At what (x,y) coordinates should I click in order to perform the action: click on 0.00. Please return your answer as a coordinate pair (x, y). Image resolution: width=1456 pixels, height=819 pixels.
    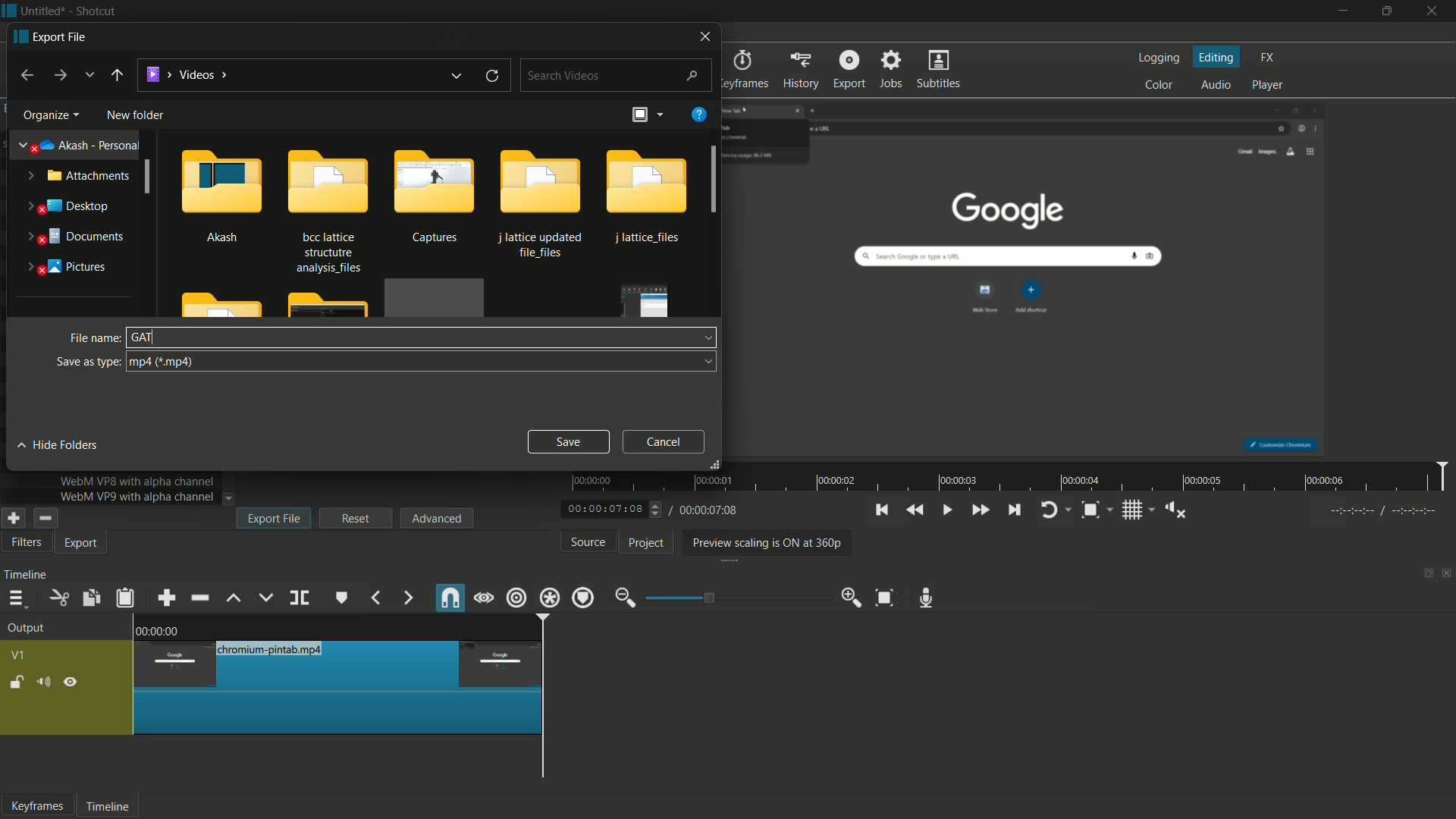
    Looking at the image, I should click on (162, 629).